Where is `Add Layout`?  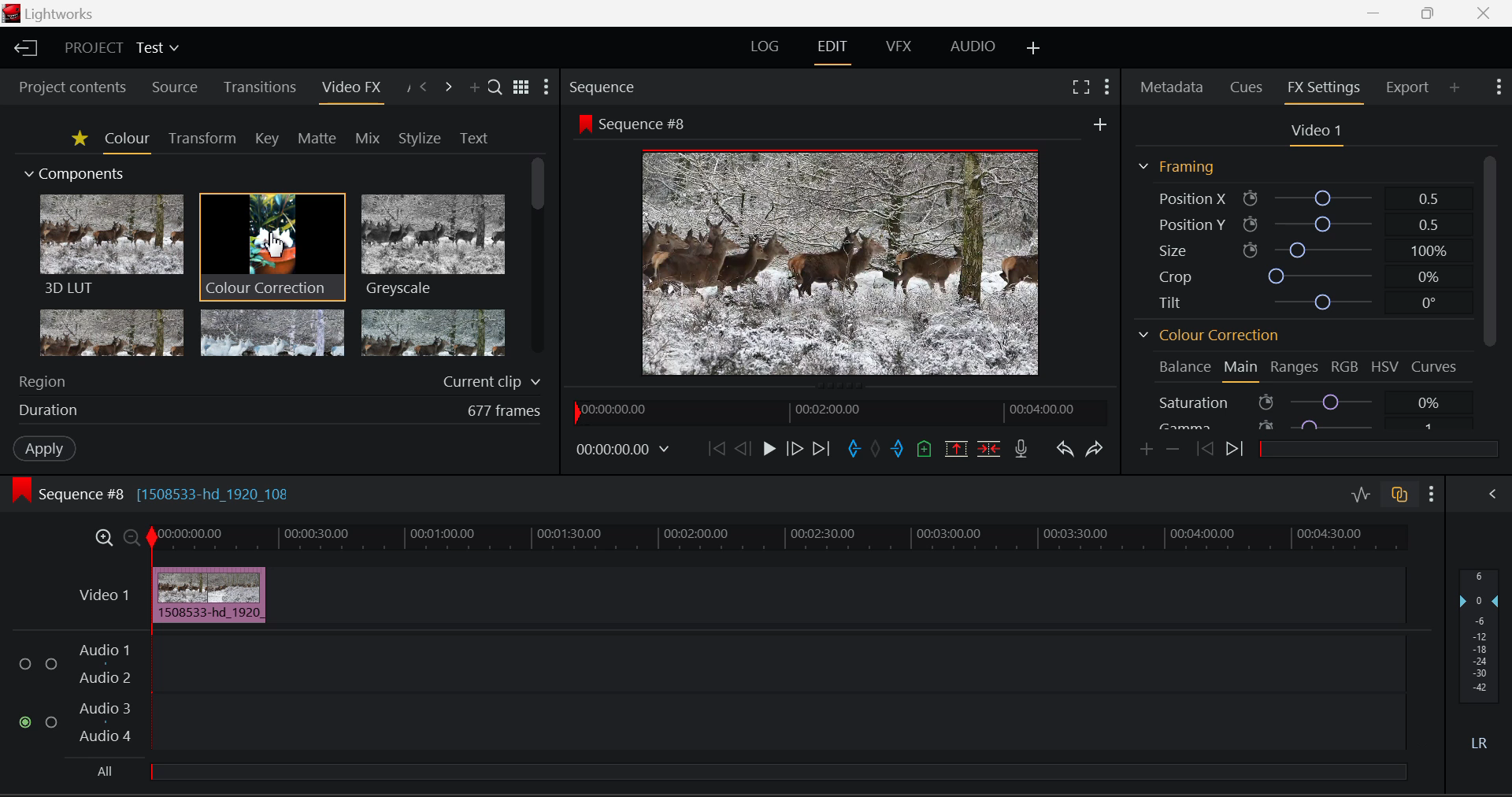
Add Layout is located at coordinates (1034, 46).